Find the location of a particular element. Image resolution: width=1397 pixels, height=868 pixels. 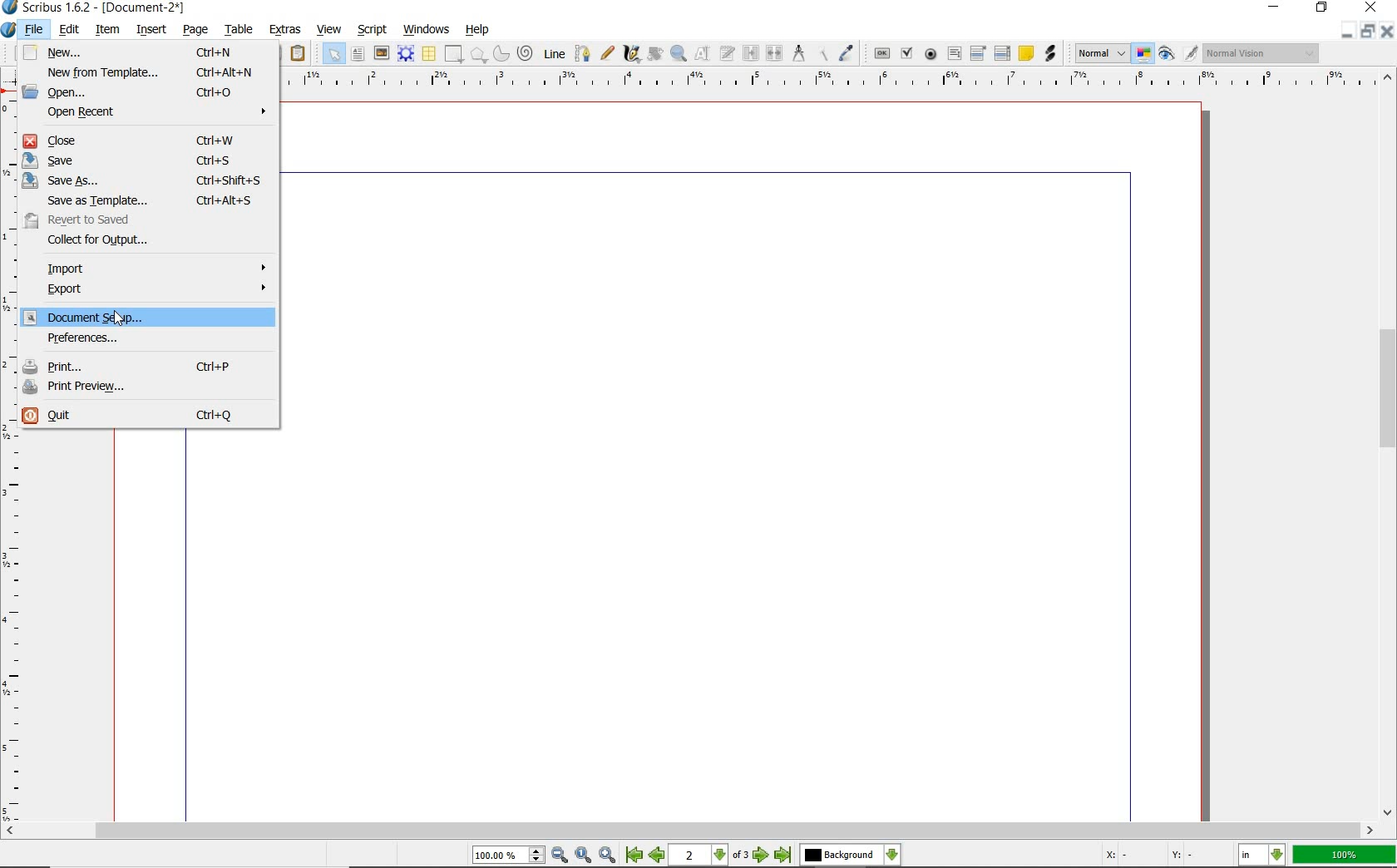

Minimize is located at coordinates (1369, 33).